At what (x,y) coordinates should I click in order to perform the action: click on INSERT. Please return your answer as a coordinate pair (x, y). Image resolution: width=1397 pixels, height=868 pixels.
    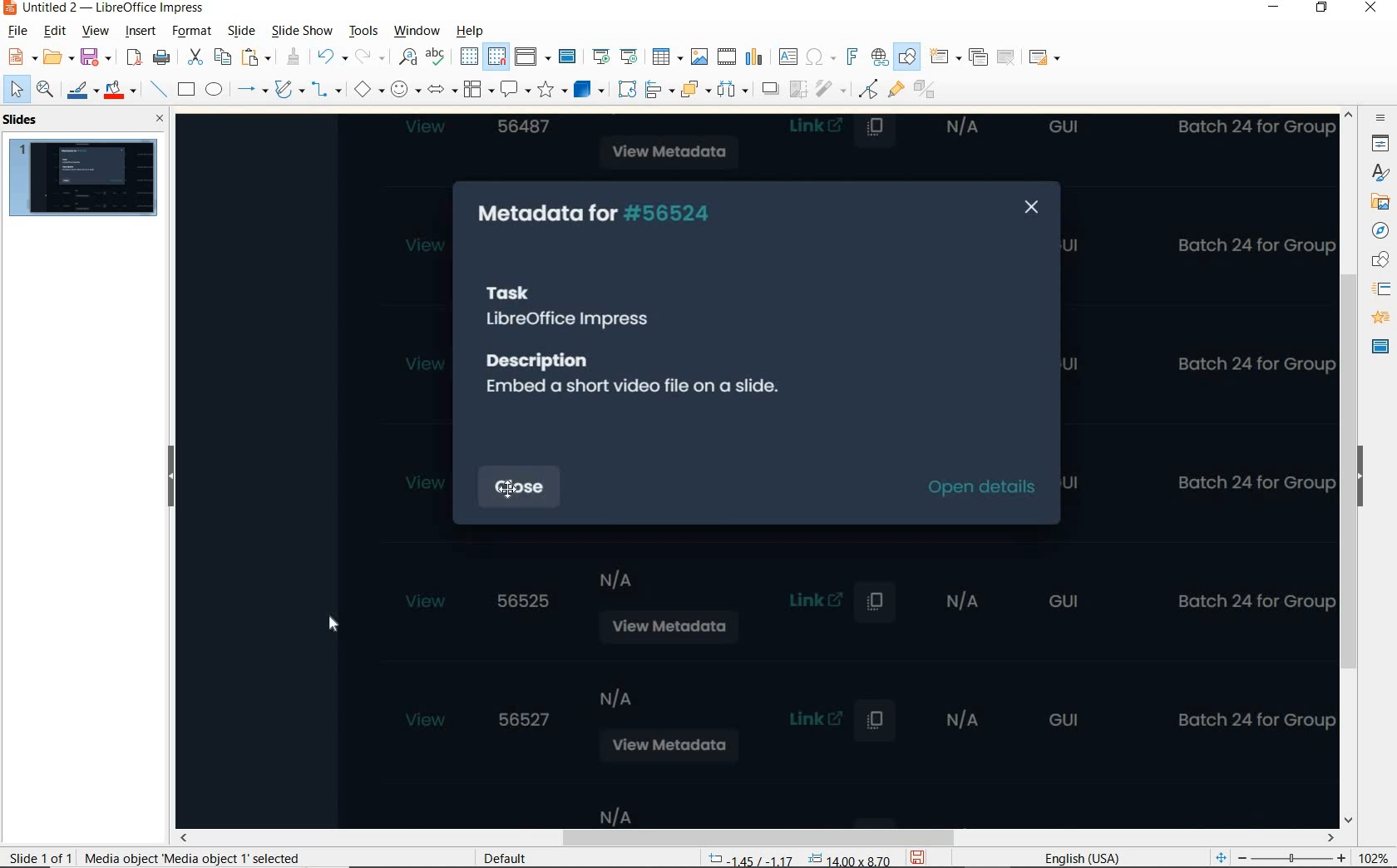
    Looking at the image, I should click on (138, 32).